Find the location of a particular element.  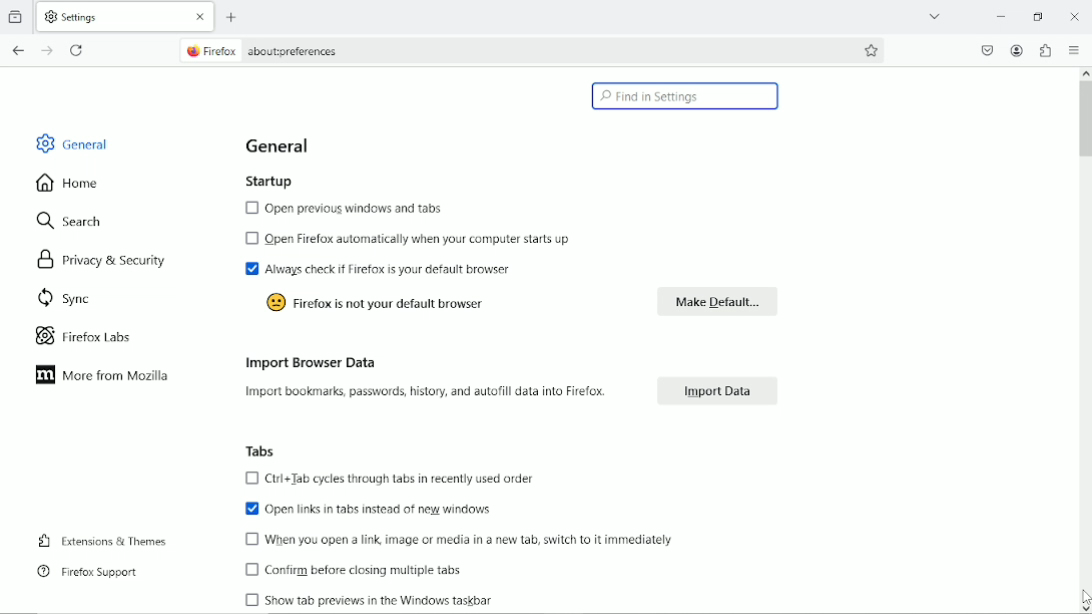

Startup is located at coordinates (268, 182).